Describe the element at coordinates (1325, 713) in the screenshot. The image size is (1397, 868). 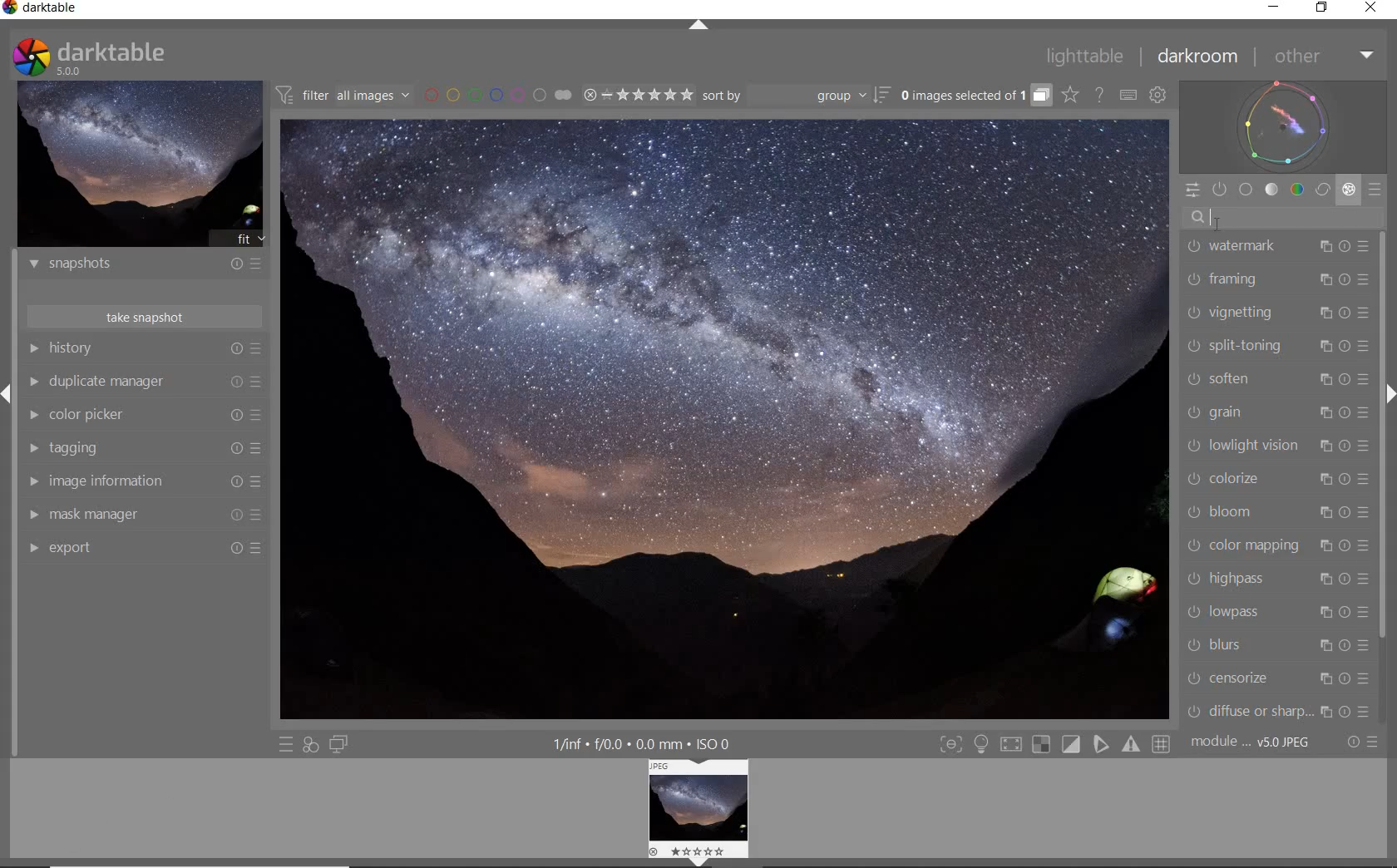
I see `multiple instance actions` at that location.